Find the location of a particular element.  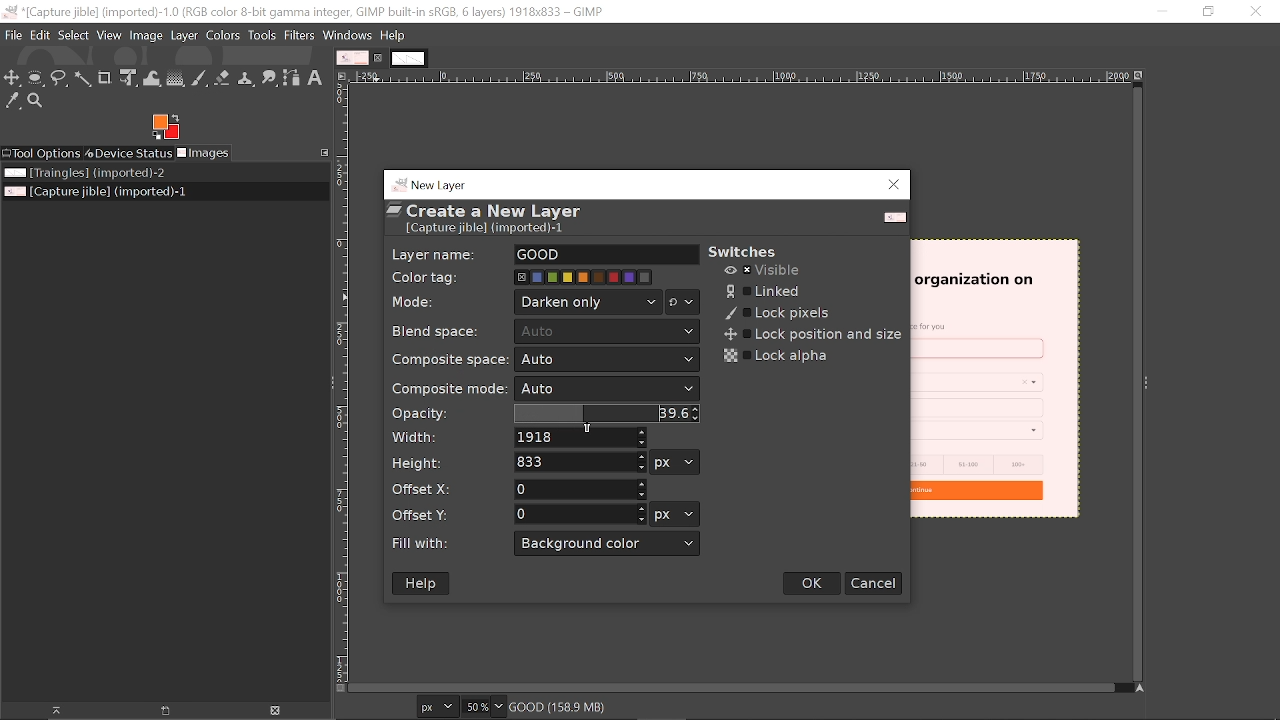

Smudge tool is located at coordinates (270, 78).